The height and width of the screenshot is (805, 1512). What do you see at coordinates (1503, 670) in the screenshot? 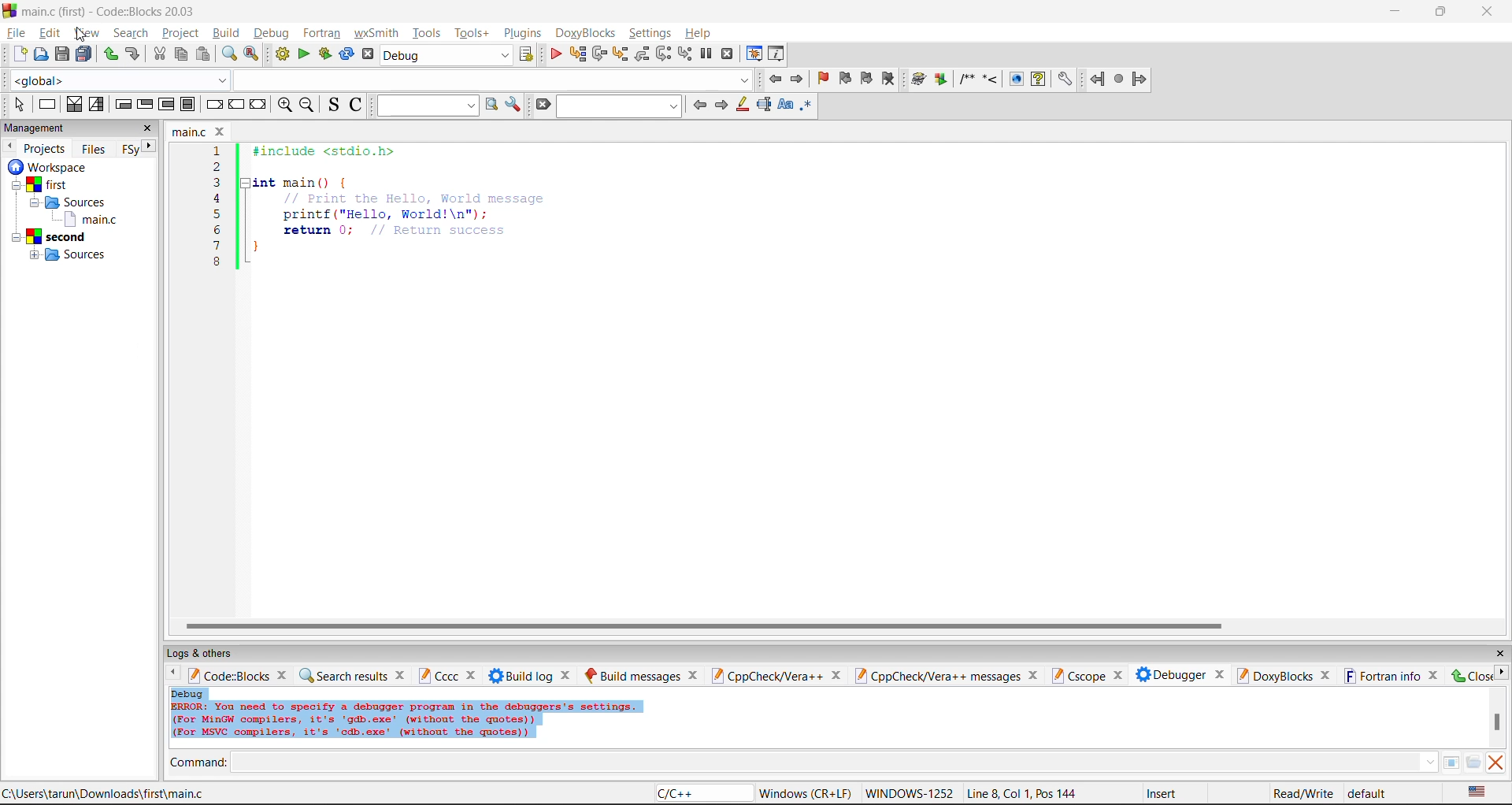
I see `next` at bounding box center [1503, 670].